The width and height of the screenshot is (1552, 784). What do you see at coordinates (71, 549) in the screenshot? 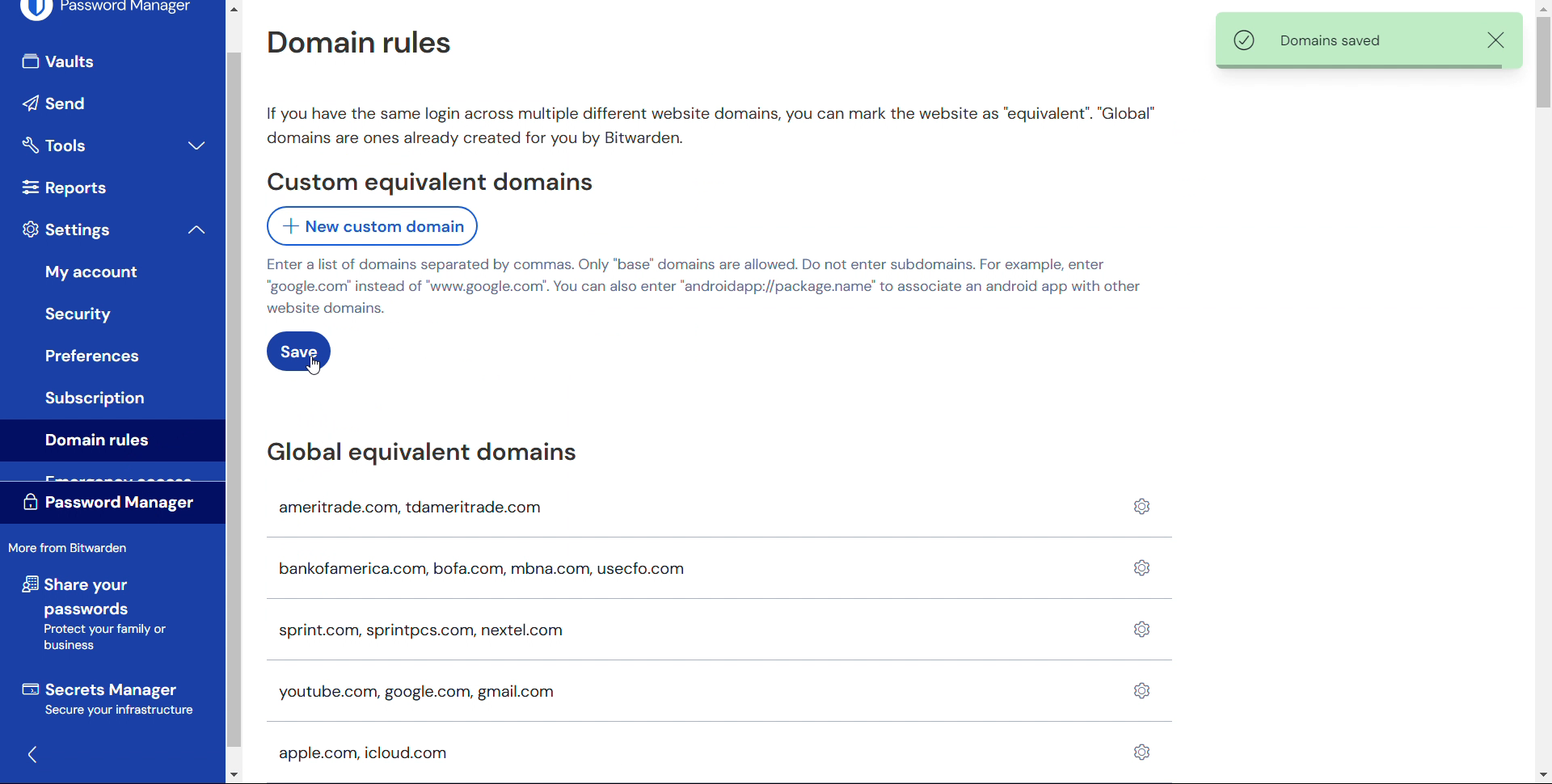
I see `More from Bit Warden` at bounding box center [71, 549].